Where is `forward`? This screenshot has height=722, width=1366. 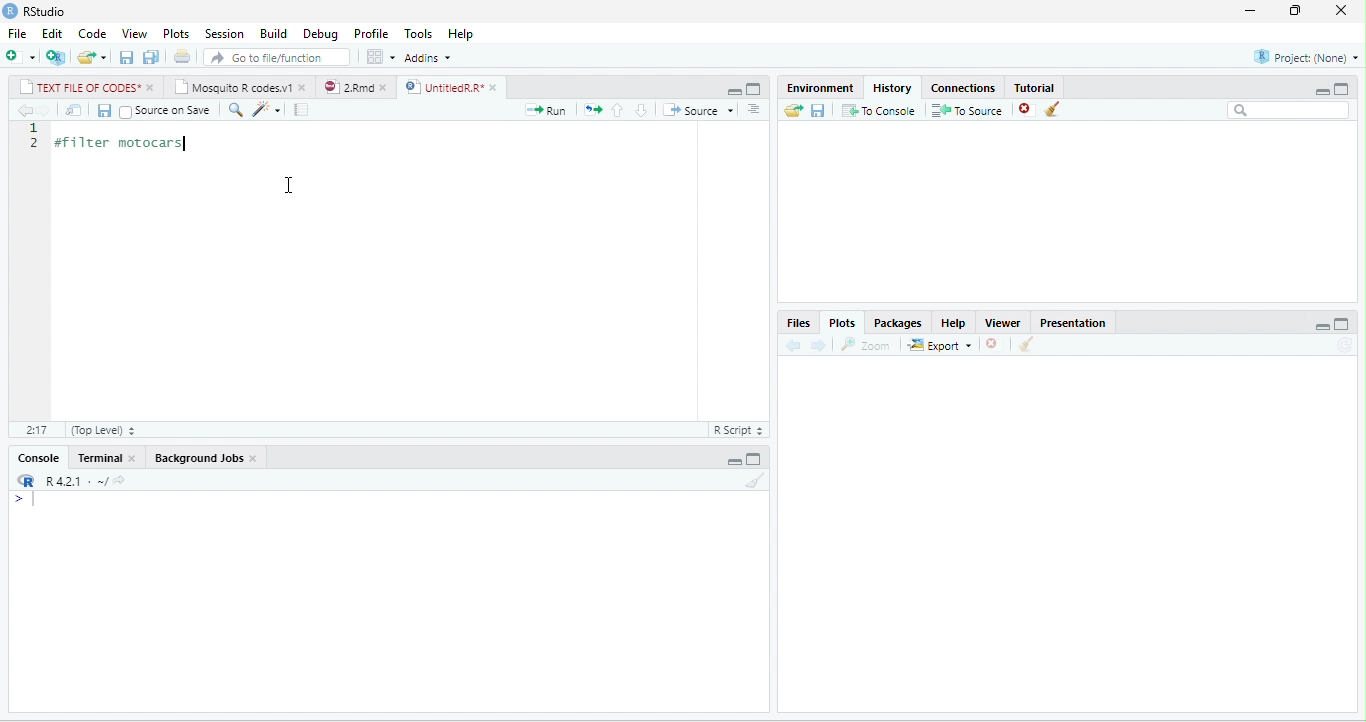
forward is located at coordinates (44, 110).